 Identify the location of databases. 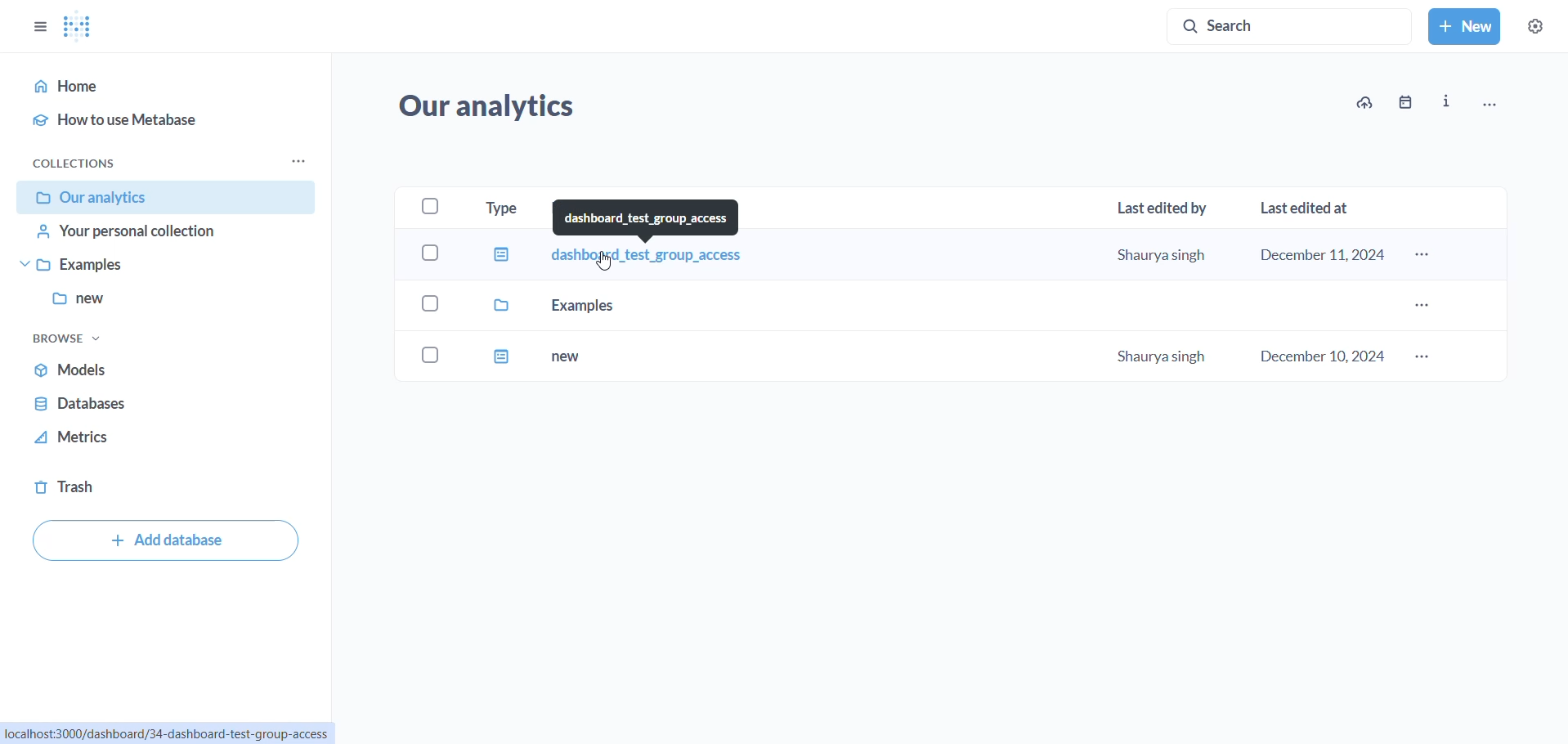
(168, 407).